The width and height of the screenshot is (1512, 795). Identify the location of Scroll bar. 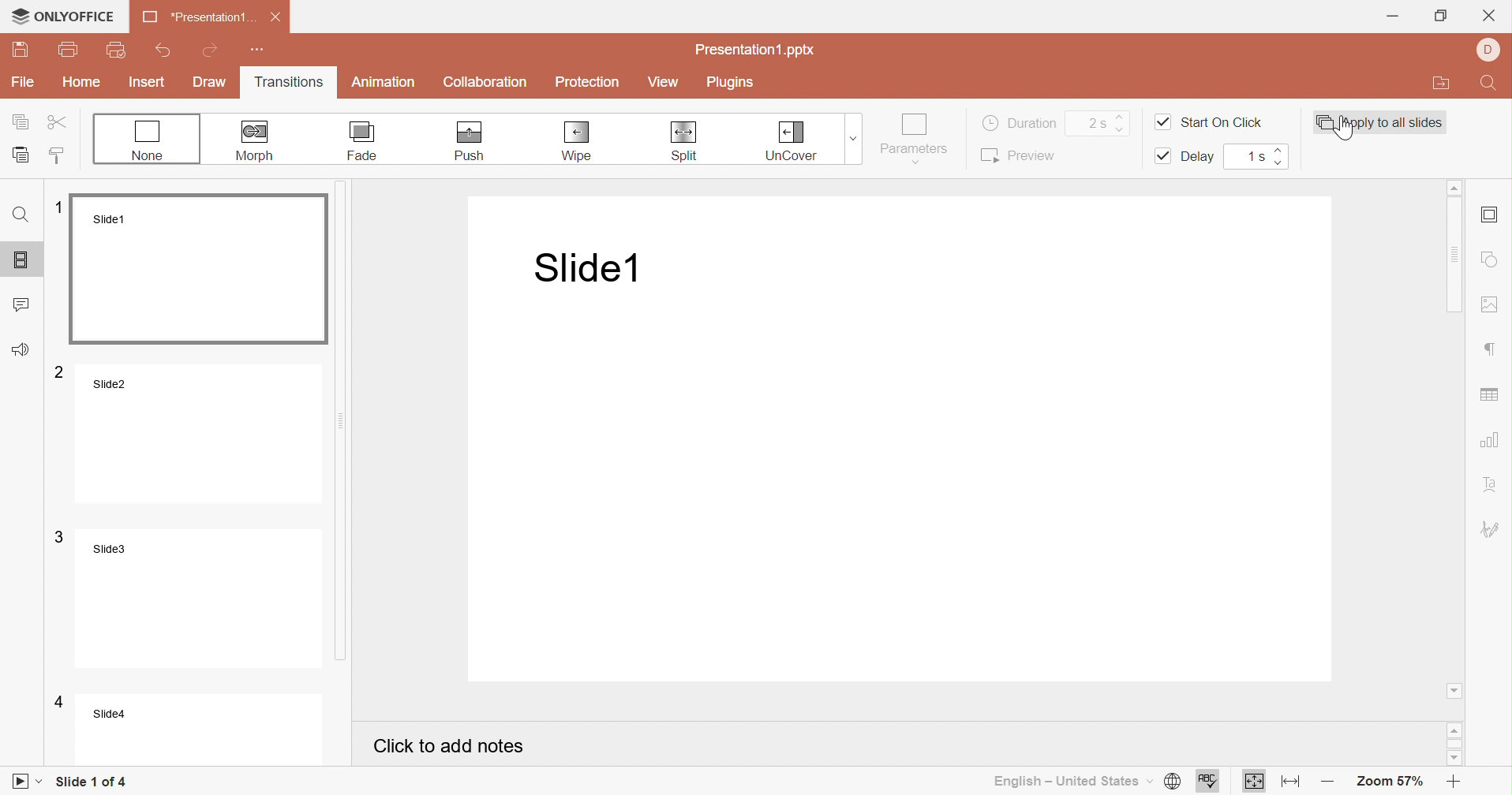
(1456, 743).